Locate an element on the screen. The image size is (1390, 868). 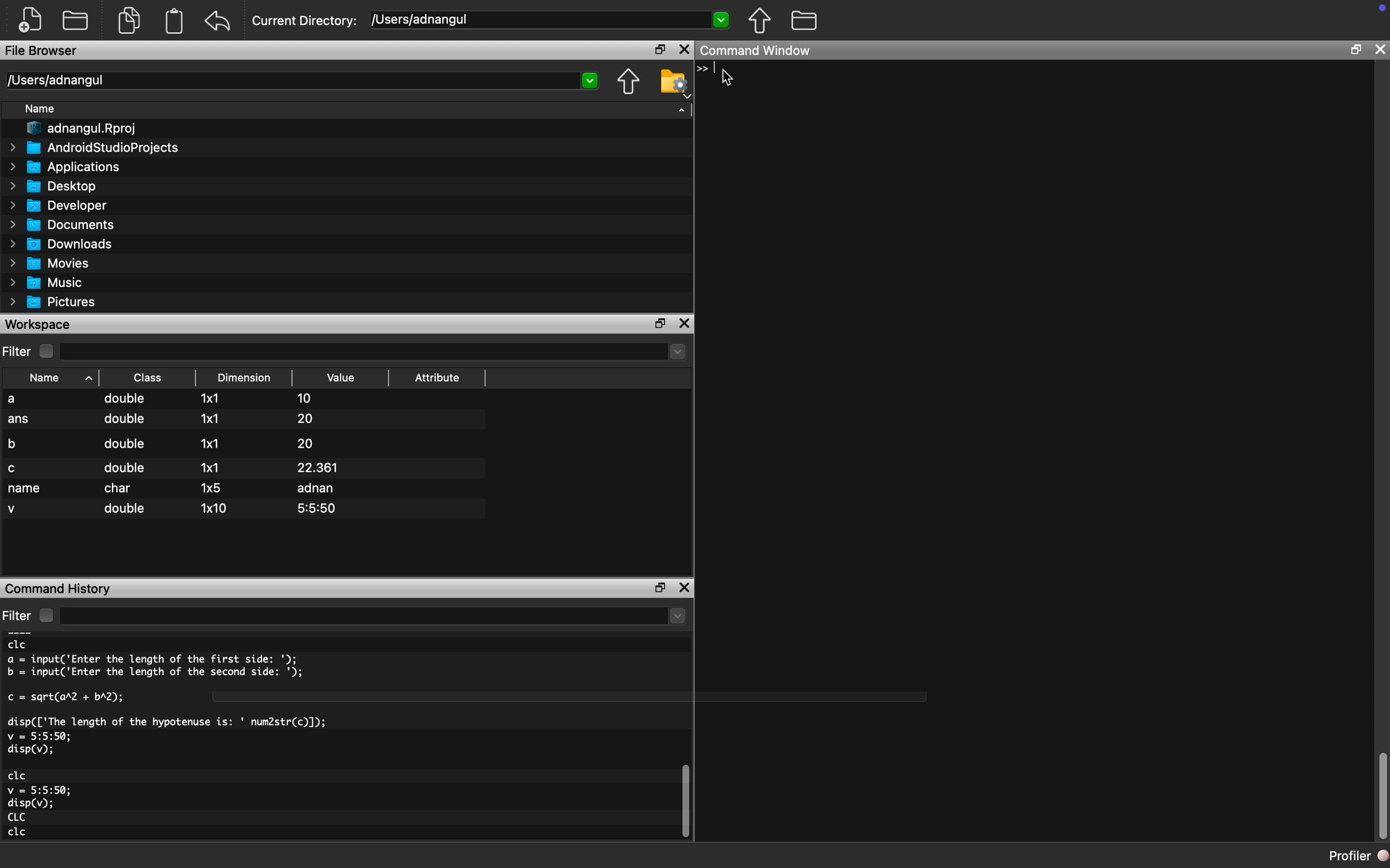
dropdown is located at coordinates (590, 80).